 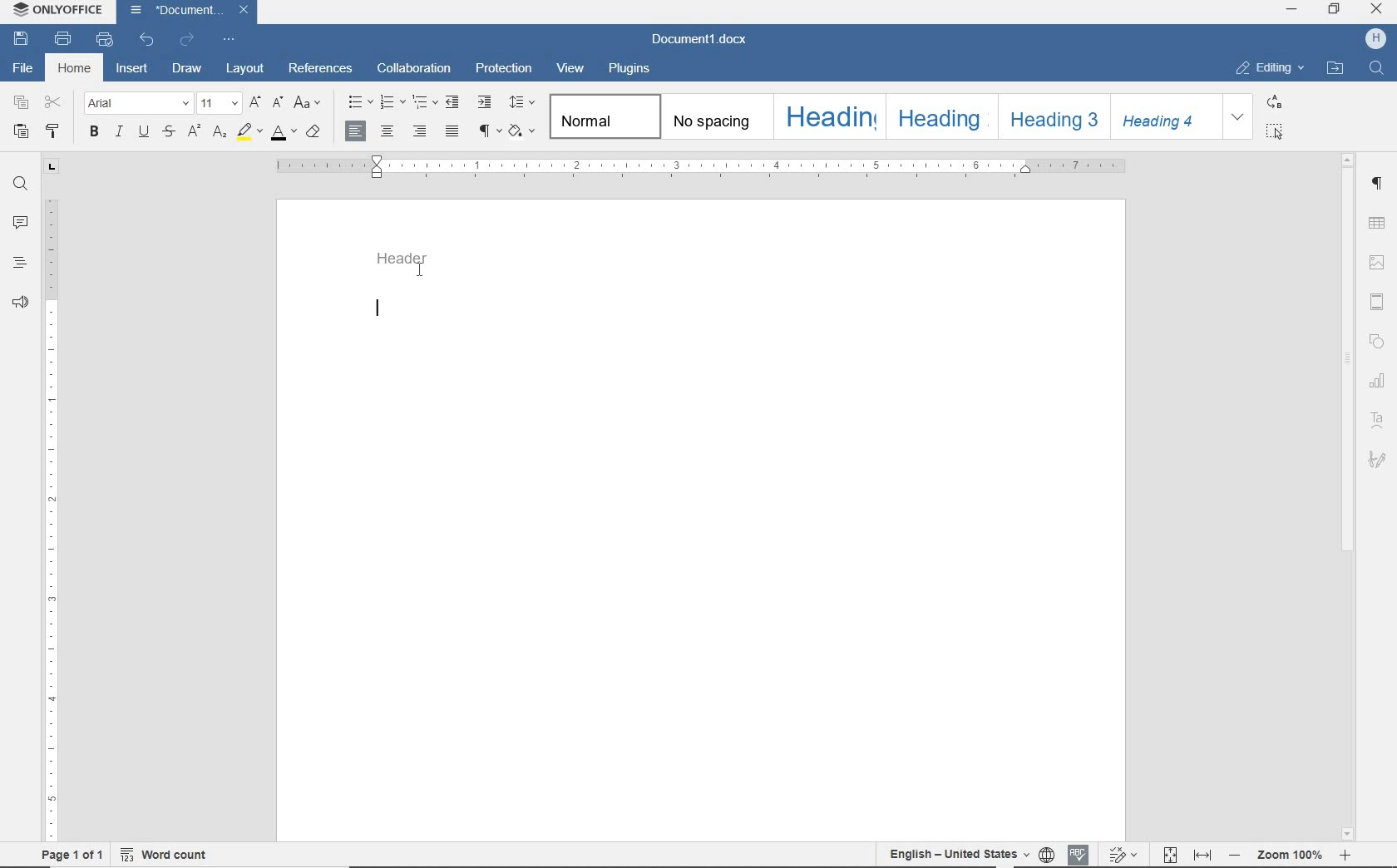 I want to click on SHAPE, so click(x=1376, y=340).